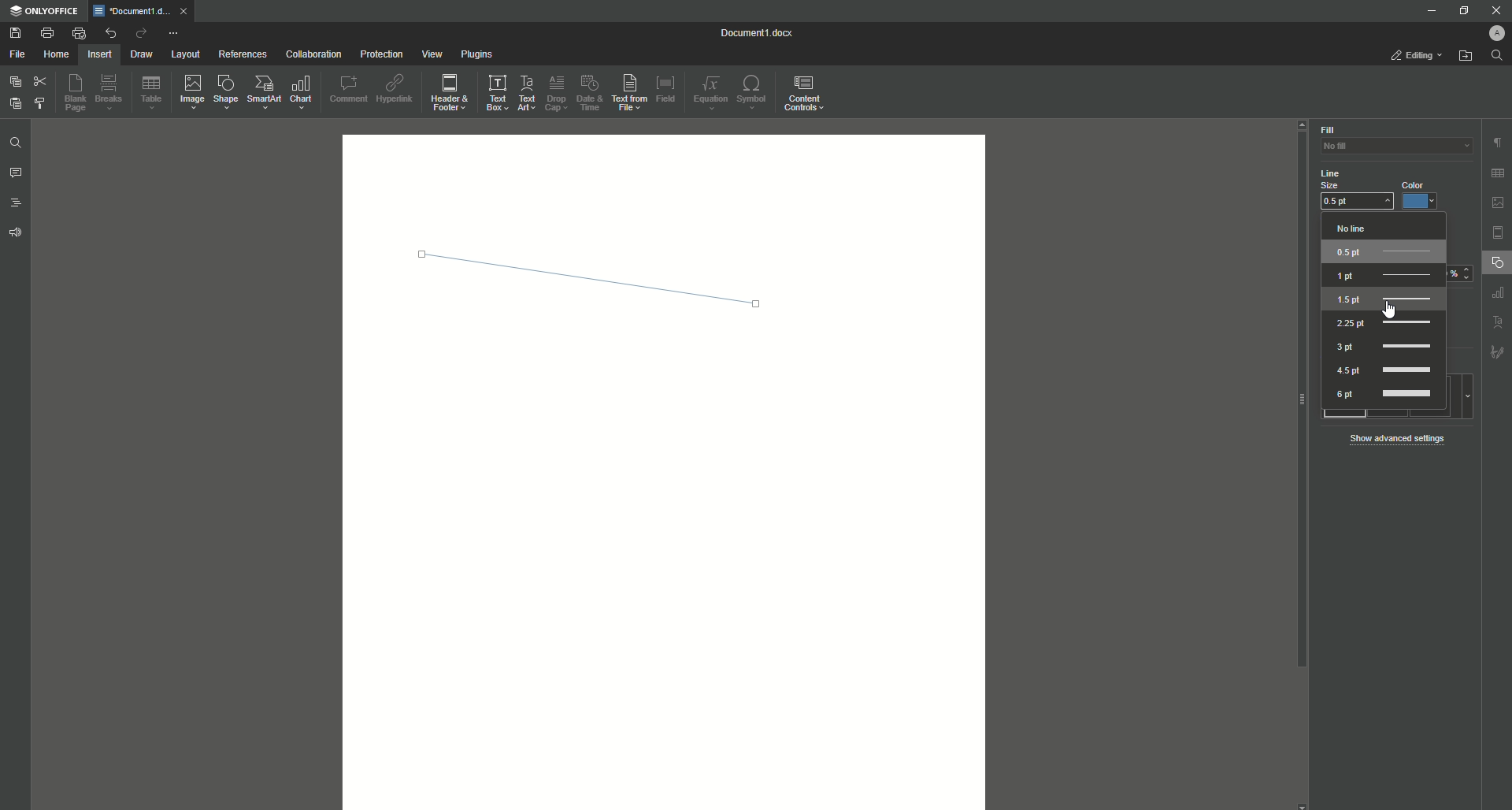 The width and height of the screenshot is (1512, 810). What do you see at coordinates (1458, 274) in the screenshot?
I see `100%` at bounding box center [1458, 274].